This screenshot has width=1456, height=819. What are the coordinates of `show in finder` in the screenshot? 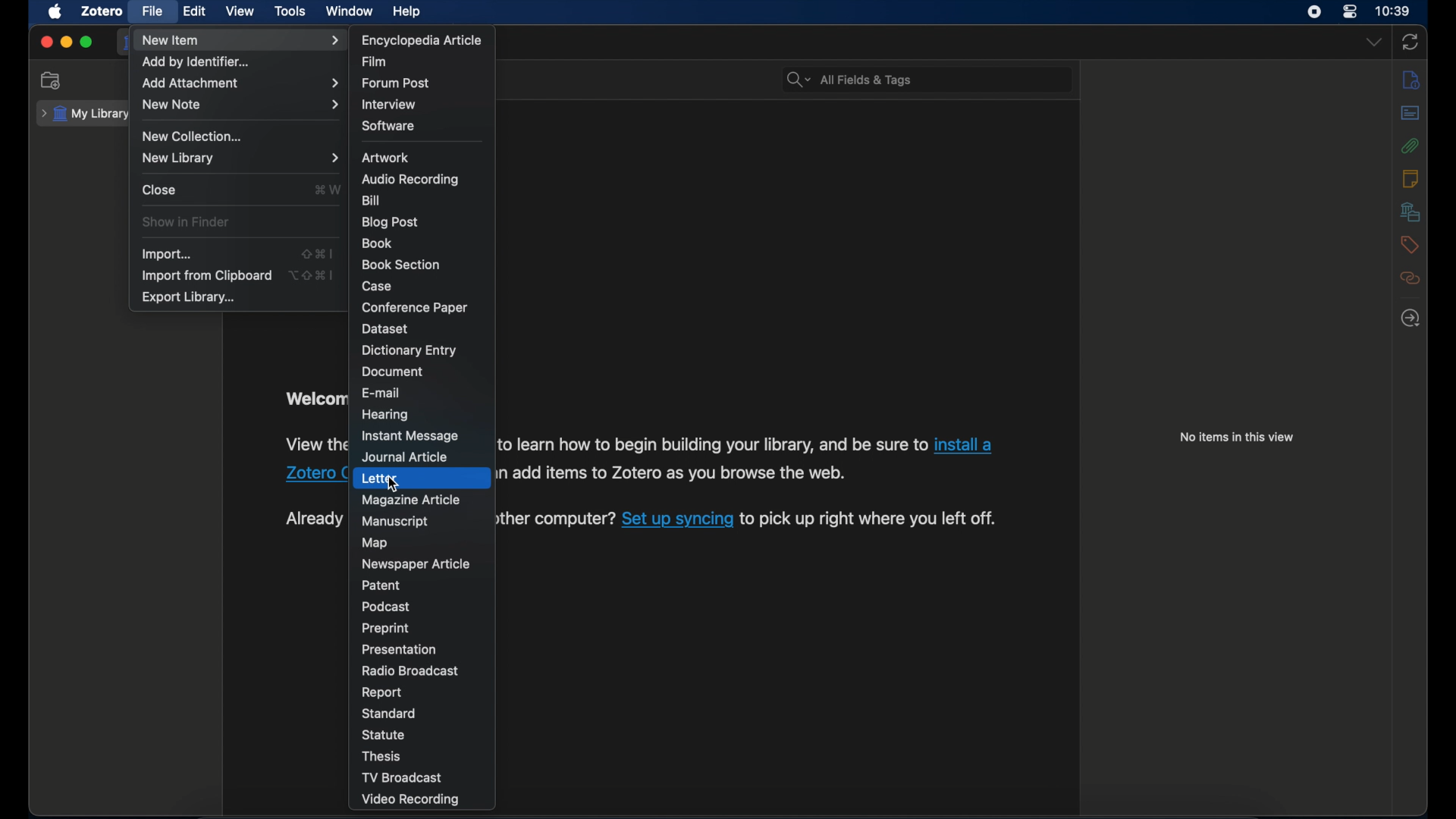 It's located at (187, 222).